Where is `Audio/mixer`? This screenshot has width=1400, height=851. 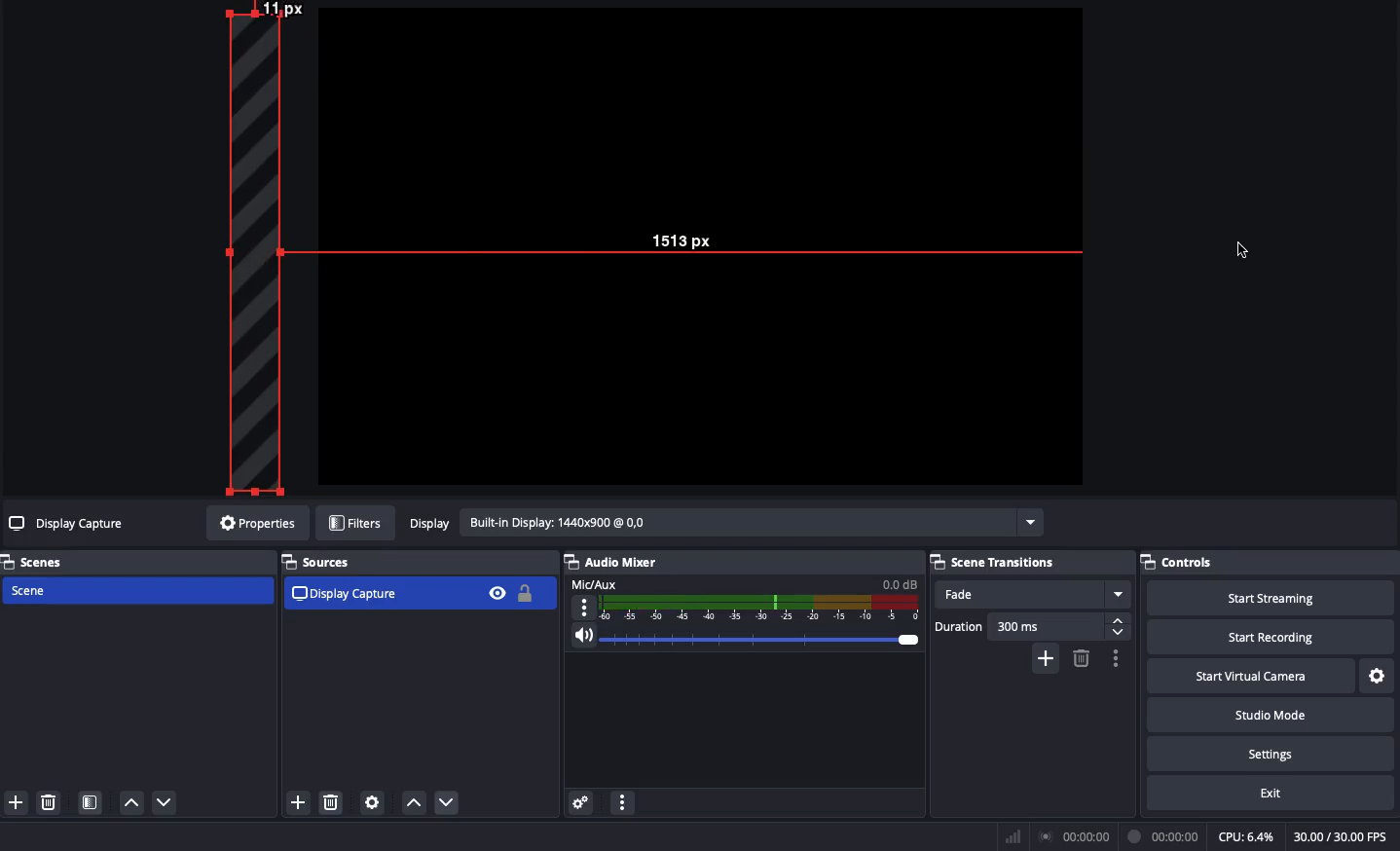
Audio/mixer is located at coordinates (736, 559).